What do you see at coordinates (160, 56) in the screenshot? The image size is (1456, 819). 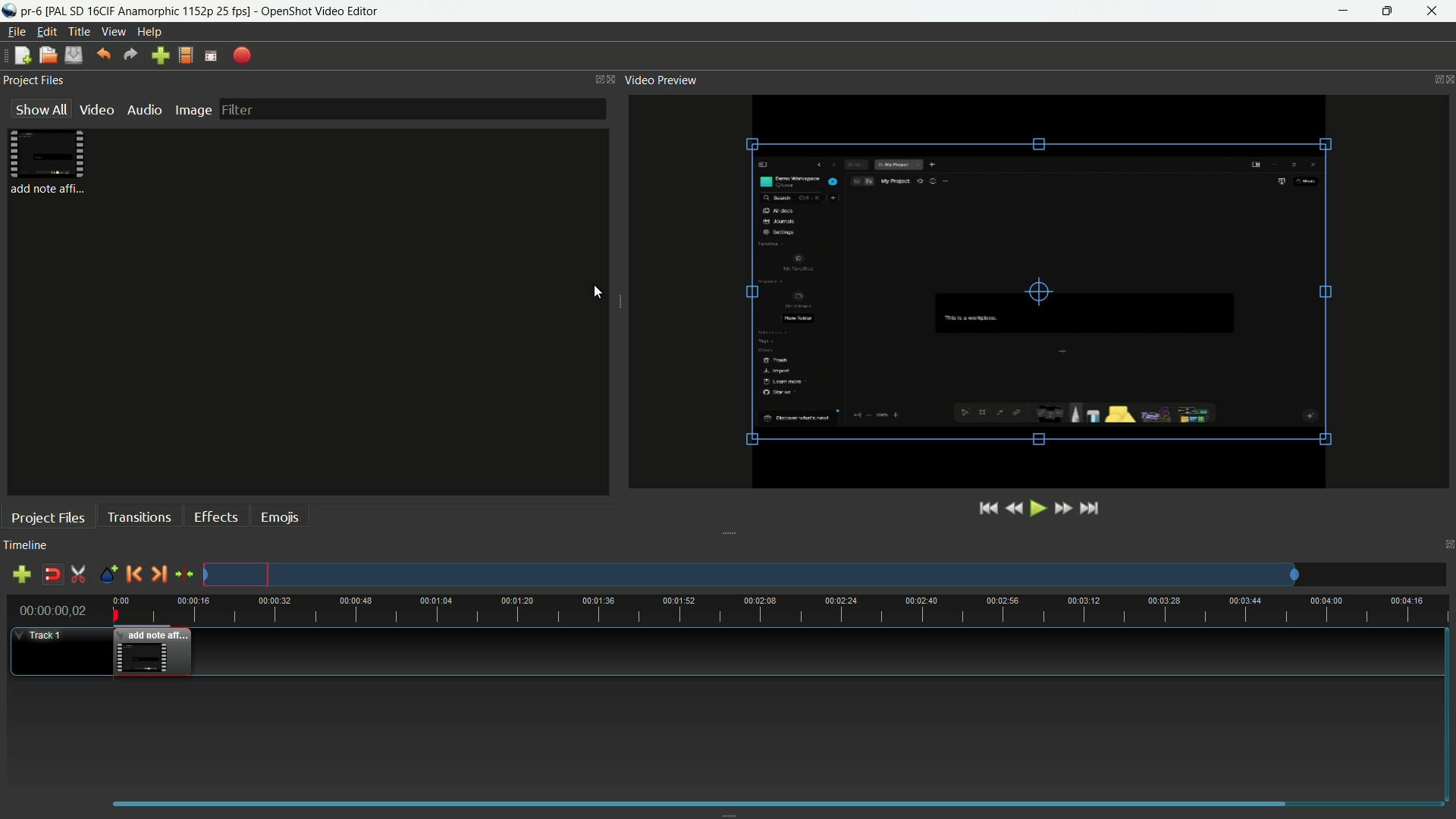 I see `import file` at bounding box center [160, 56].